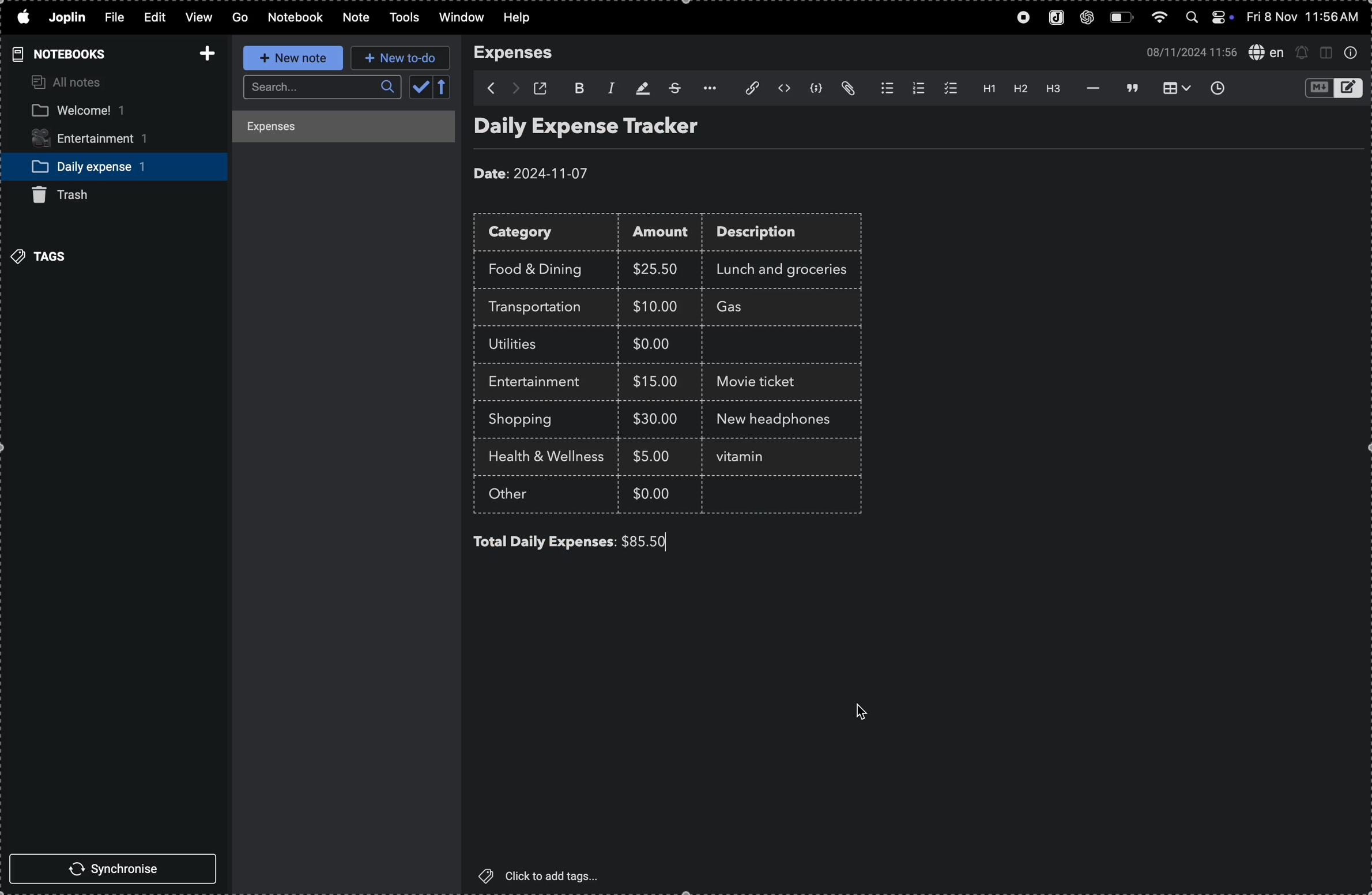 The image size is (1372, 895). I want to click on tools, so click(401, 18).